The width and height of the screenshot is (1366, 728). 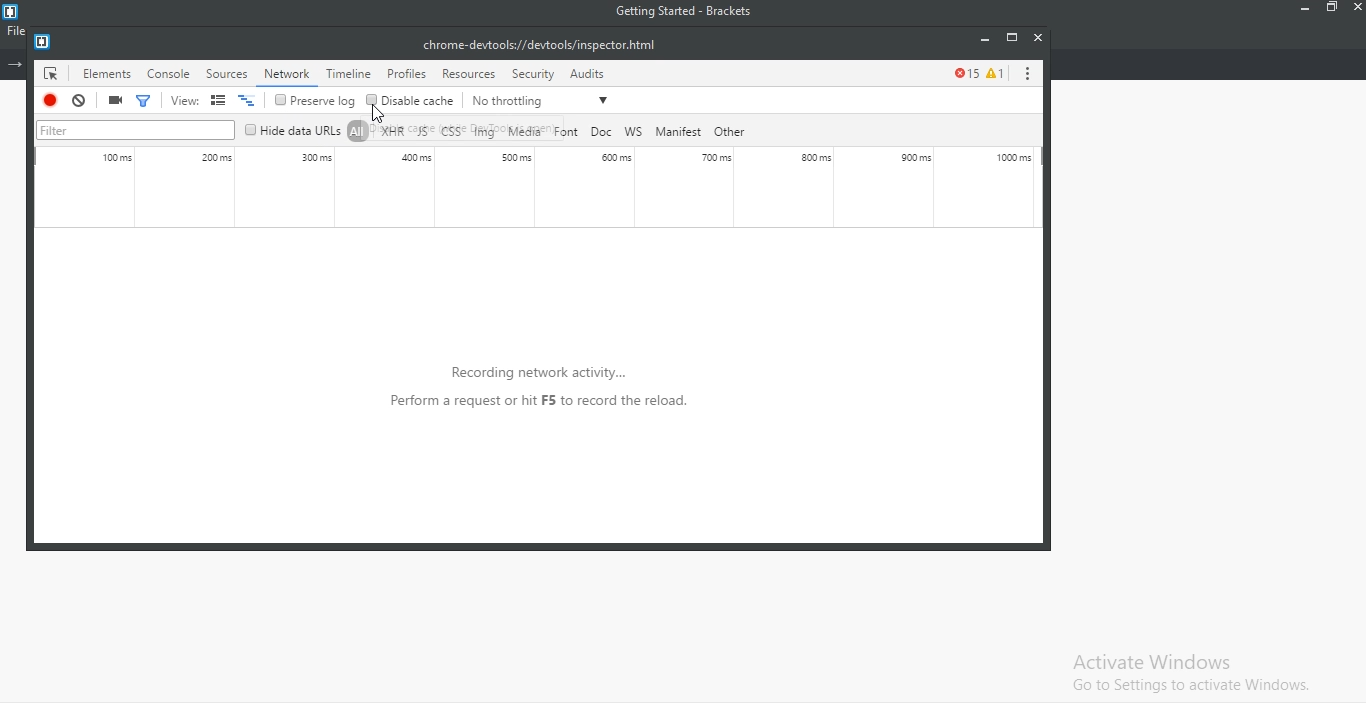 What do you see at coordinates (1026, 72) in the screenshot?
I see `options` at bounding box center [1026, 72].